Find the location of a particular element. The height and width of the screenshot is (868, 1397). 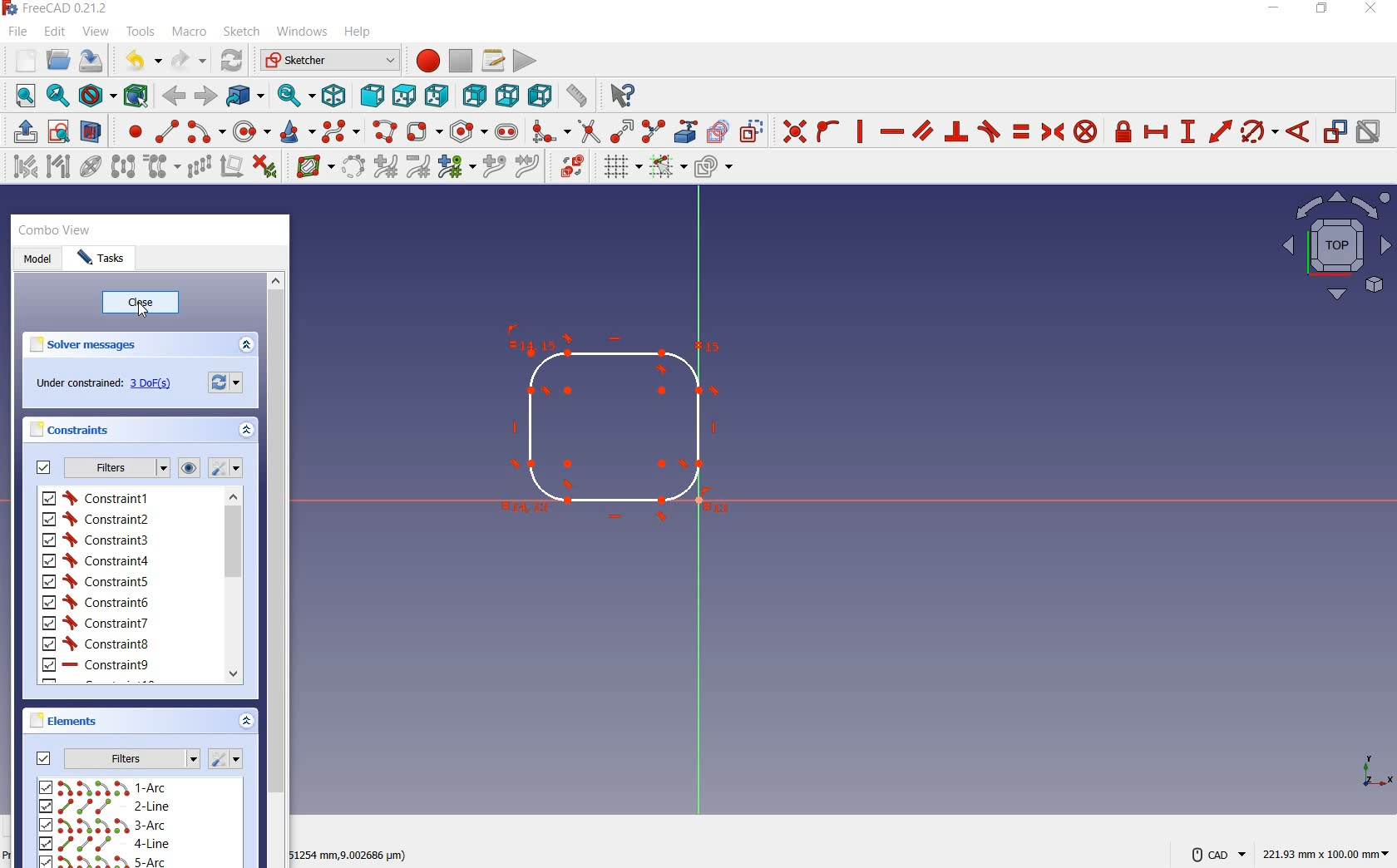

constrain vertical distance is located at coordinates (1187, 133).